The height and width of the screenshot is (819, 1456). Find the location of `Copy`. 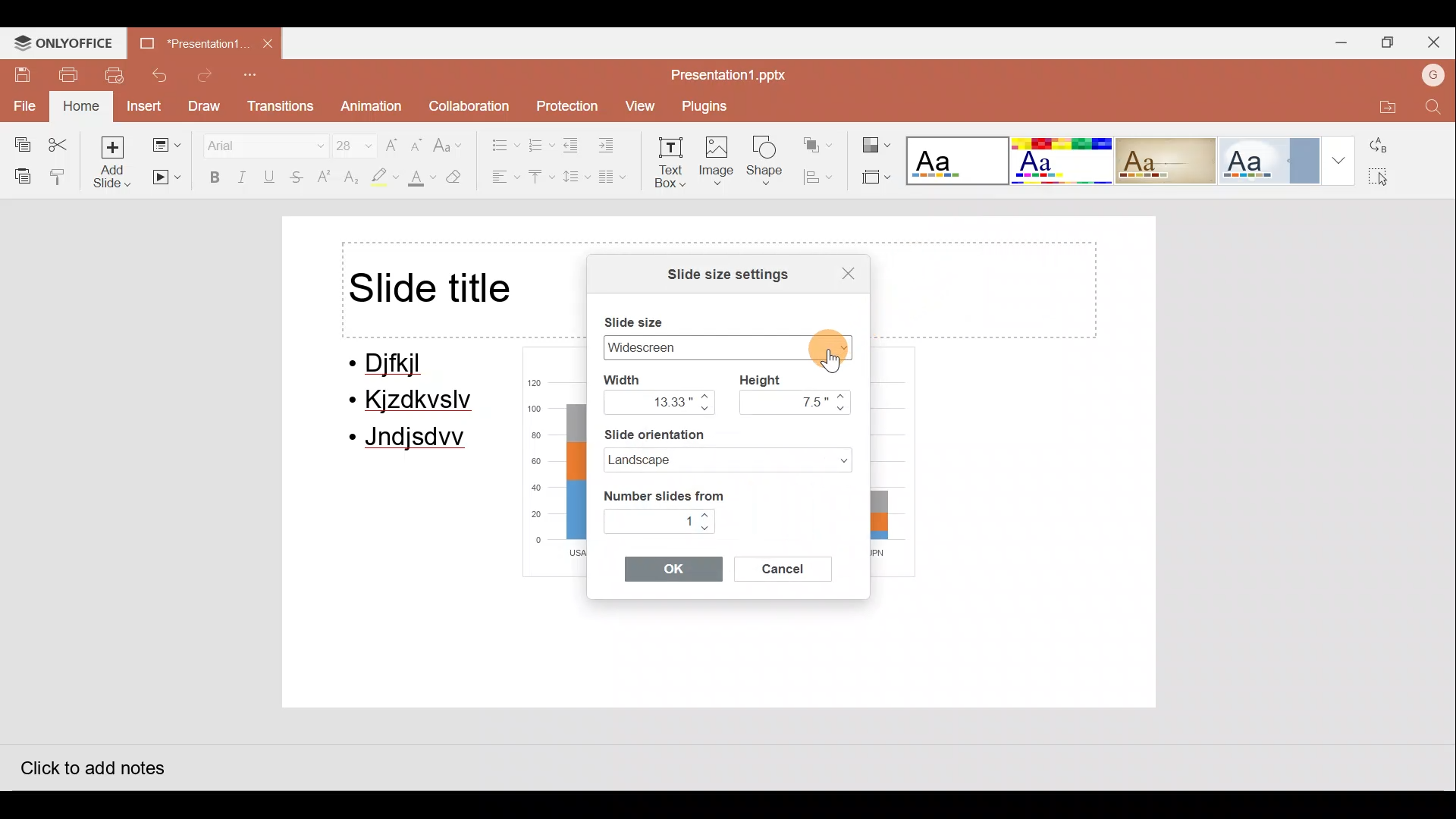

Copy is located at coordinates (17, 141).